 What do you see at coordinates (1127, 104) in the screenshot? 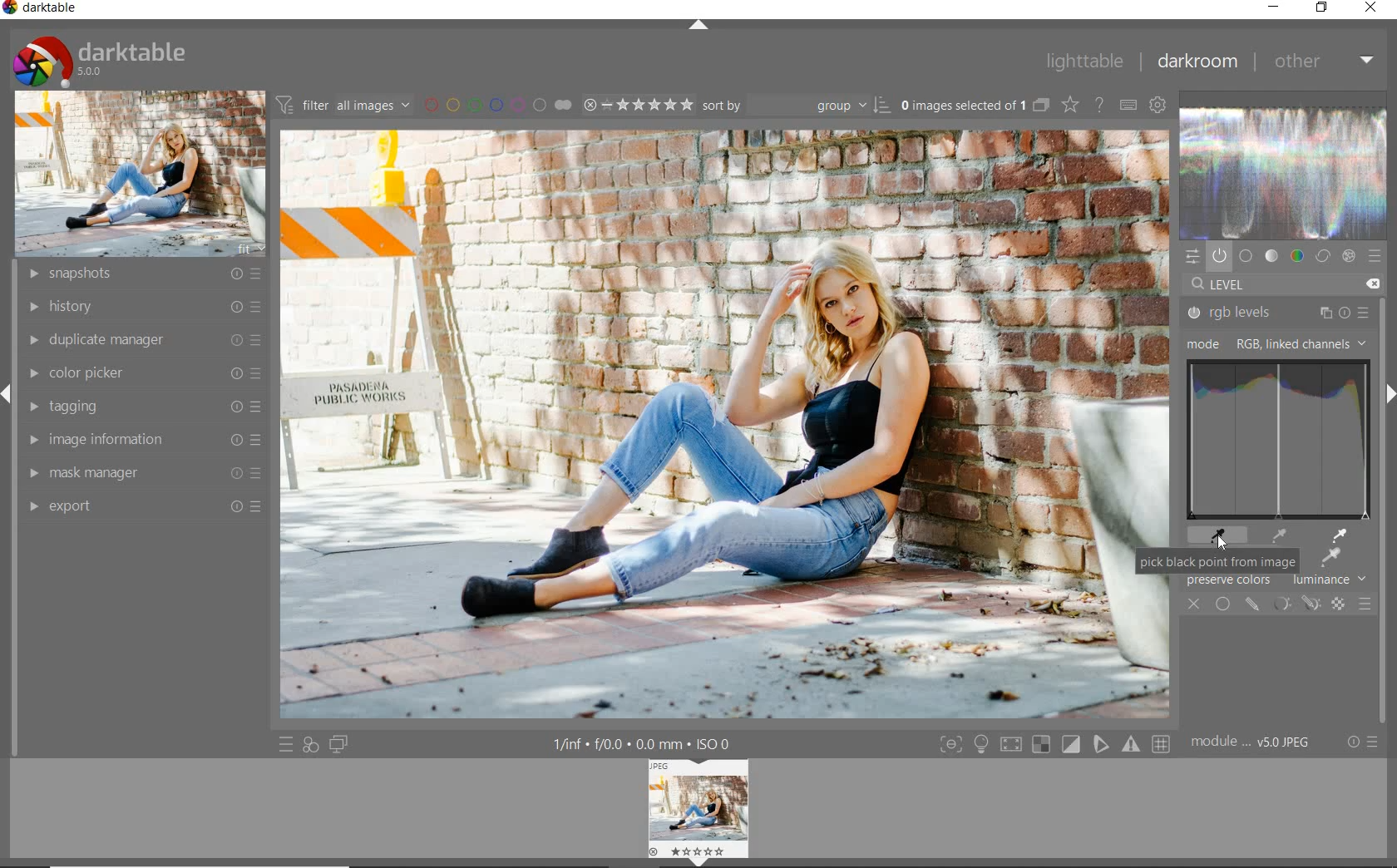
I see `define keyboard shortcuts` at bounding box center [1127, 104].